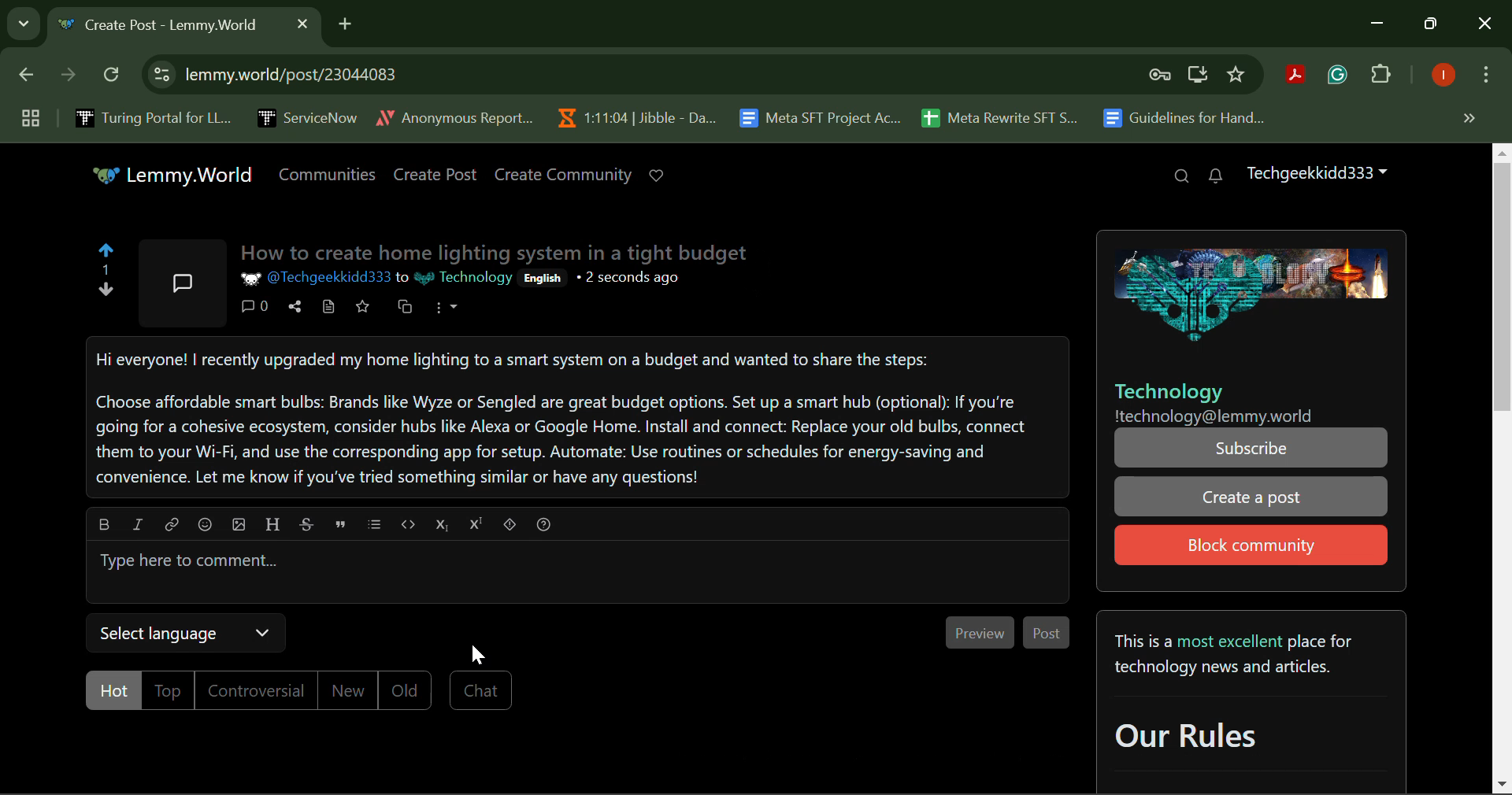  What do you see at coordinates (254, 690) in the screenshot?
I see `Controversial Post Button Unselected` at bounding box center [254, 690].